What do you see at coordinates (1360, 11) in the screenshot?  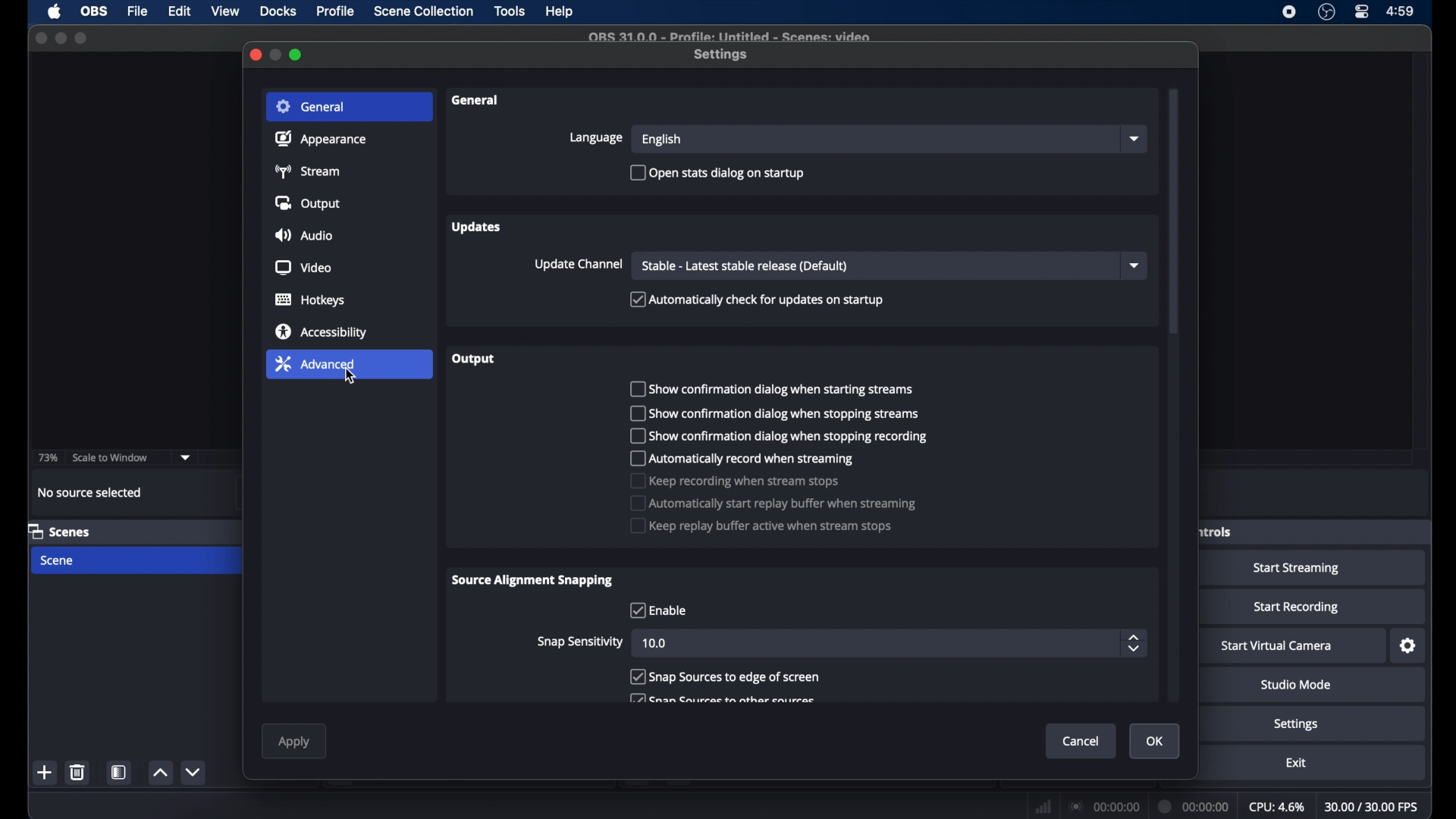 I see `control center` at bounding box center [1360, 11].